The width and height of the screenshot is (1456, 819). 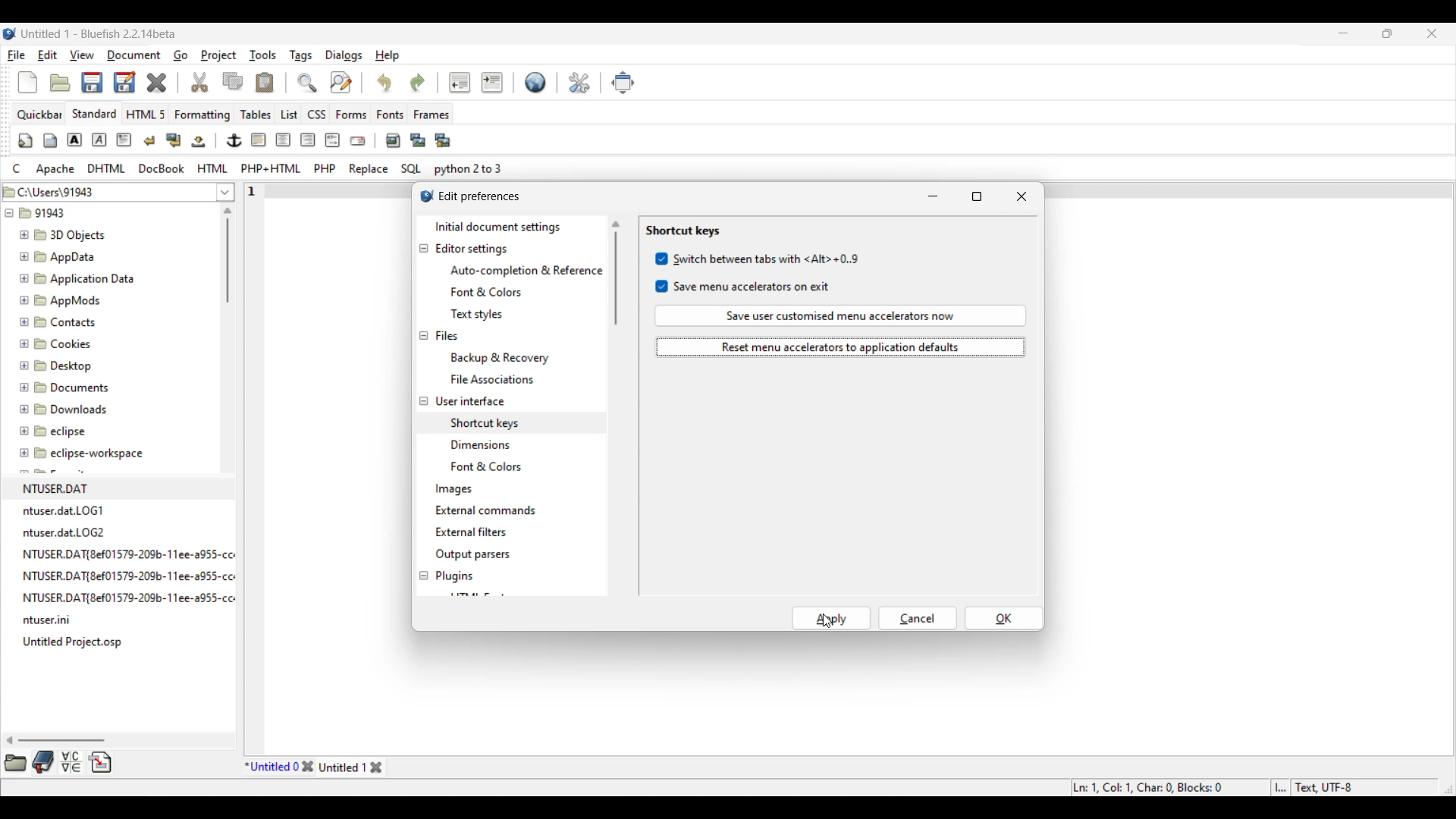 I want to click on Formatting, so click(x=202, y=115).